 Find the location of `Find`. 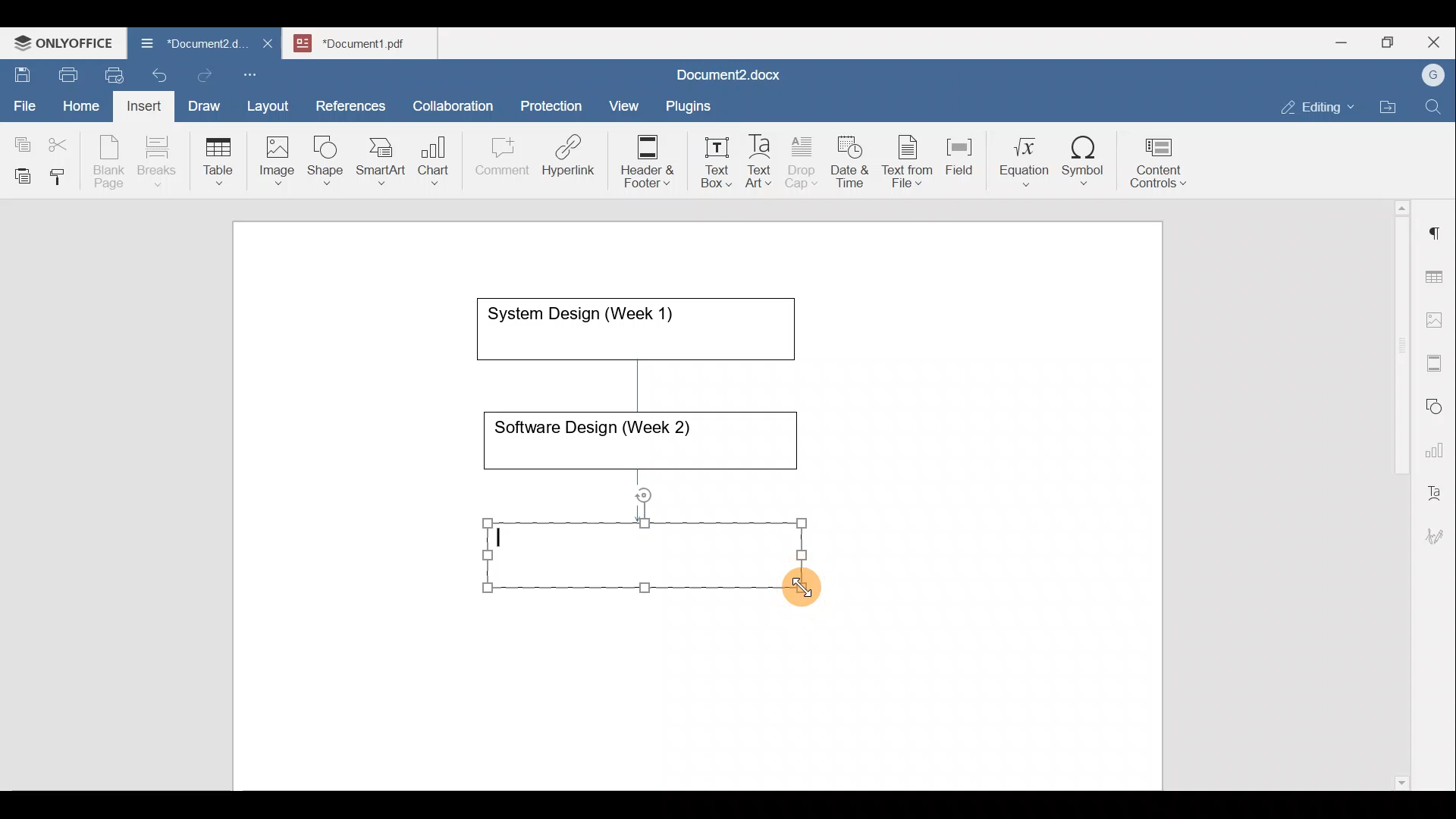

Find is located at coordinates (1435, 108).